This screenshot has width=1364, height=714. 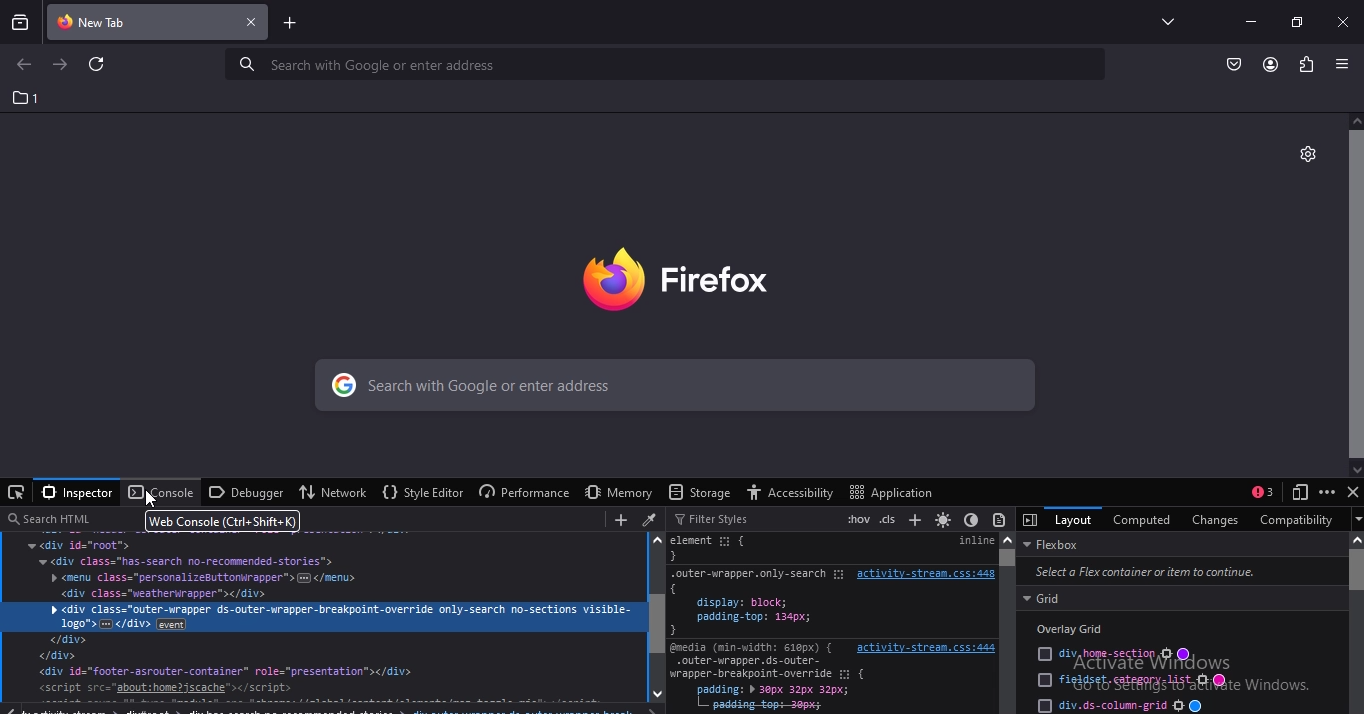 What do you see at coordinates (1308, 154) in the screenshot?
I see `personalise this tab` at bounding box center [1308, 154].